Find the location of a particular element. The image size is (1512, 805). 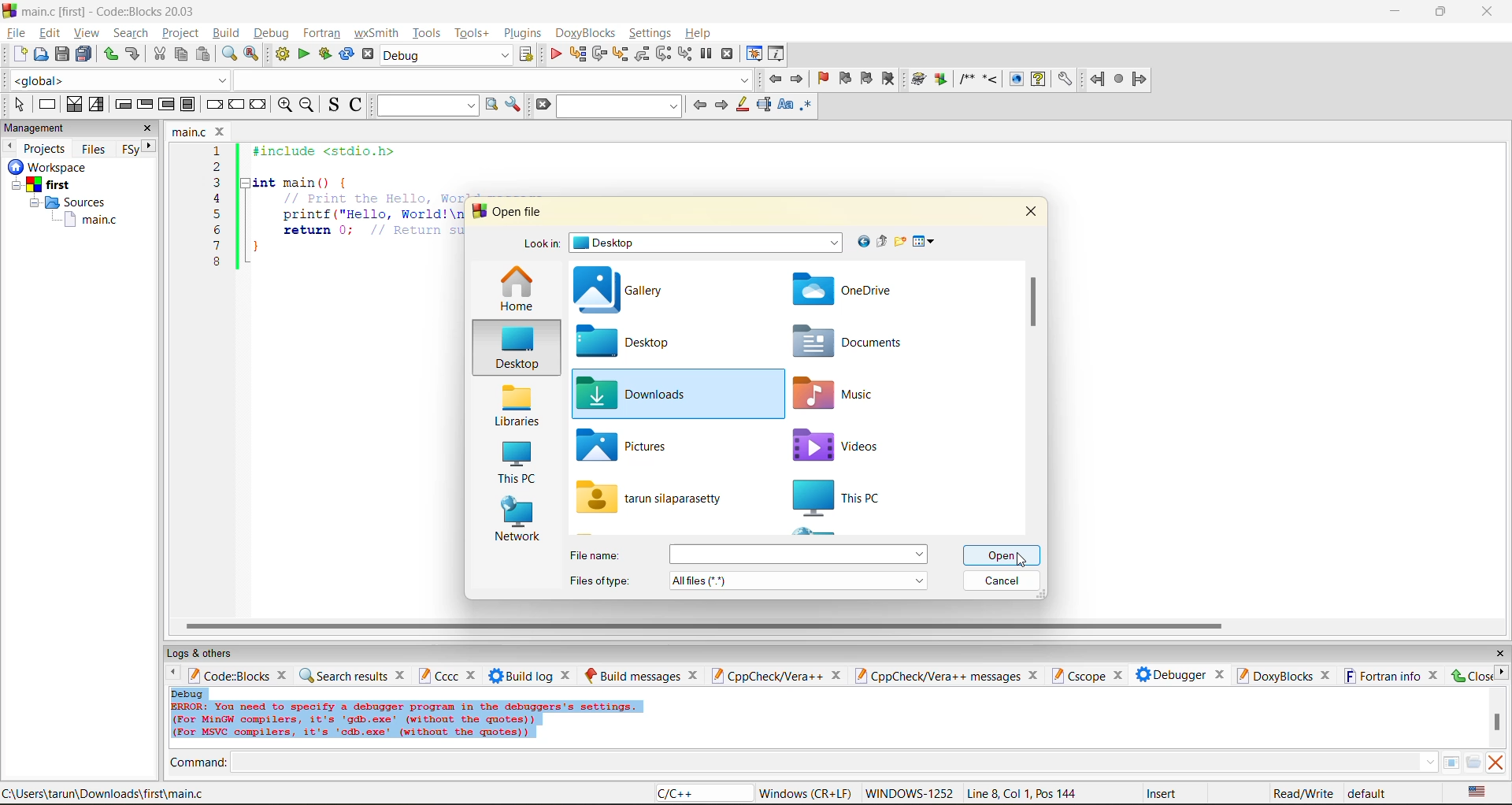

close  is located at coordinates (1489, 12).